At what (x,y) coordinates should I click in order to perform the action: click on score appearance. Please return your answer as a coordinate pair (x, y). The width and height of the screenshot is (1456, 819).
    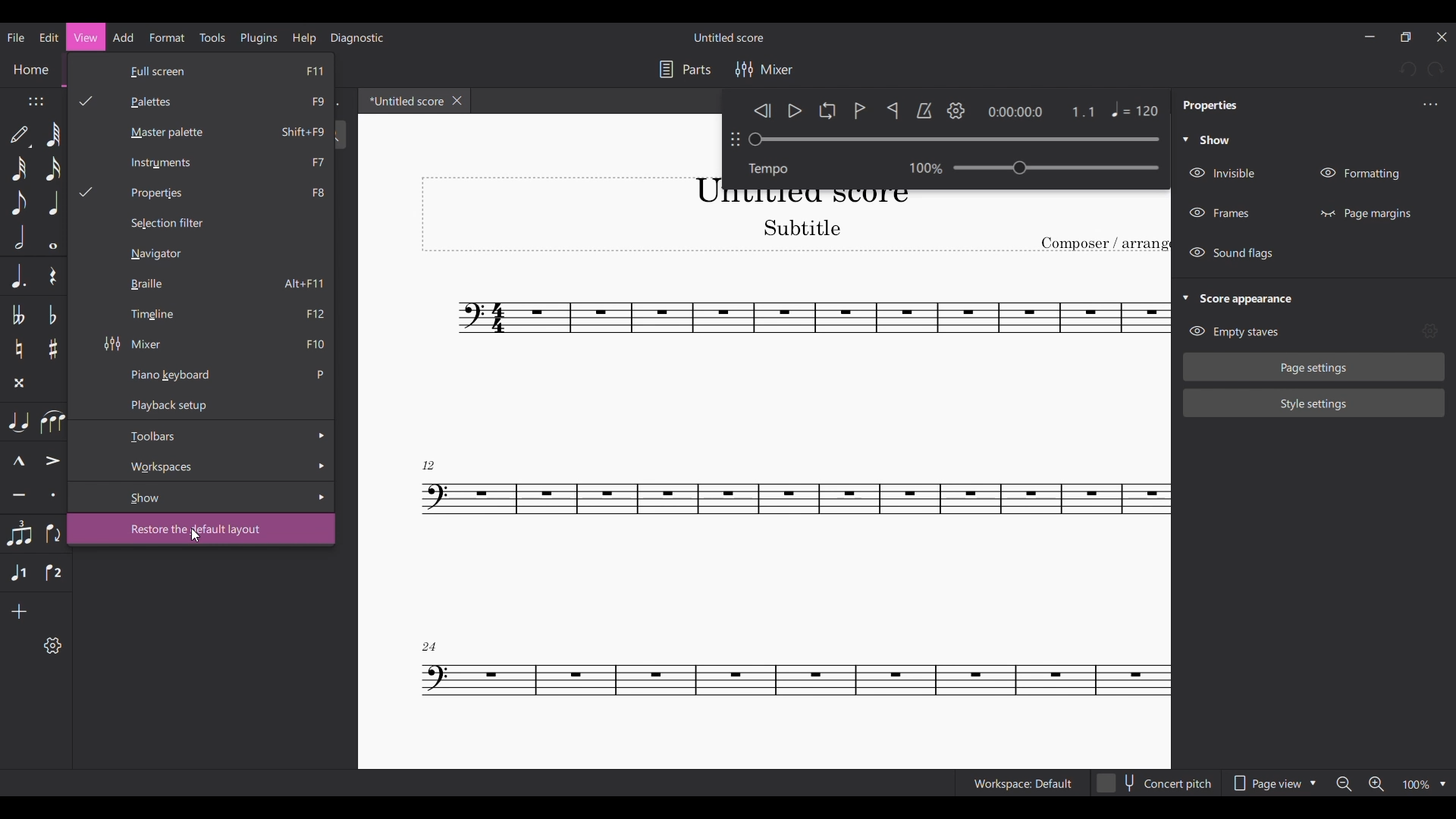
    Looking at the image, I should click on (1257, 297).